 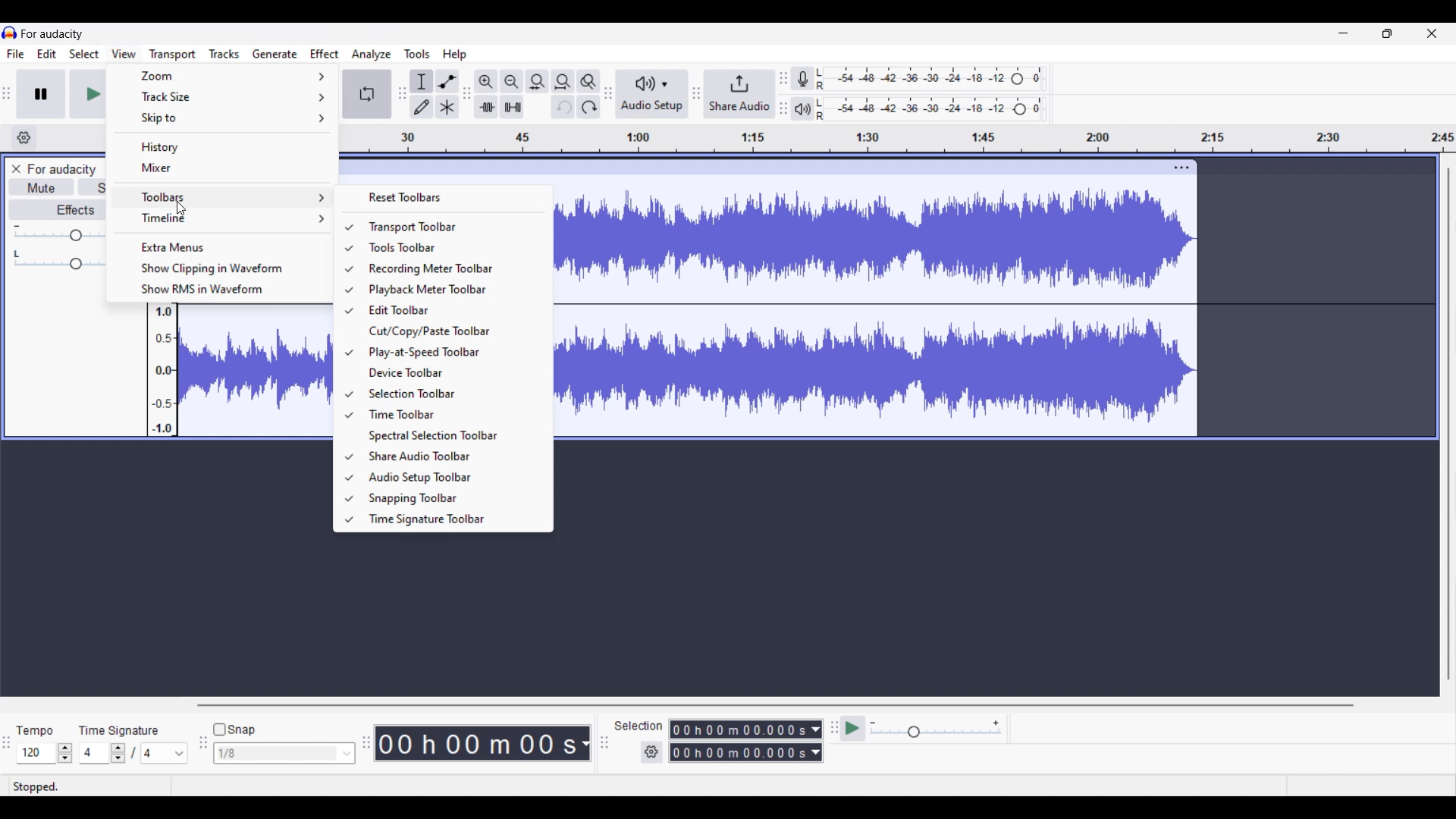 What do you see at coordinates (222, 168) in the screenshot?
I see `Mixer` at bounding box center [222, 168].